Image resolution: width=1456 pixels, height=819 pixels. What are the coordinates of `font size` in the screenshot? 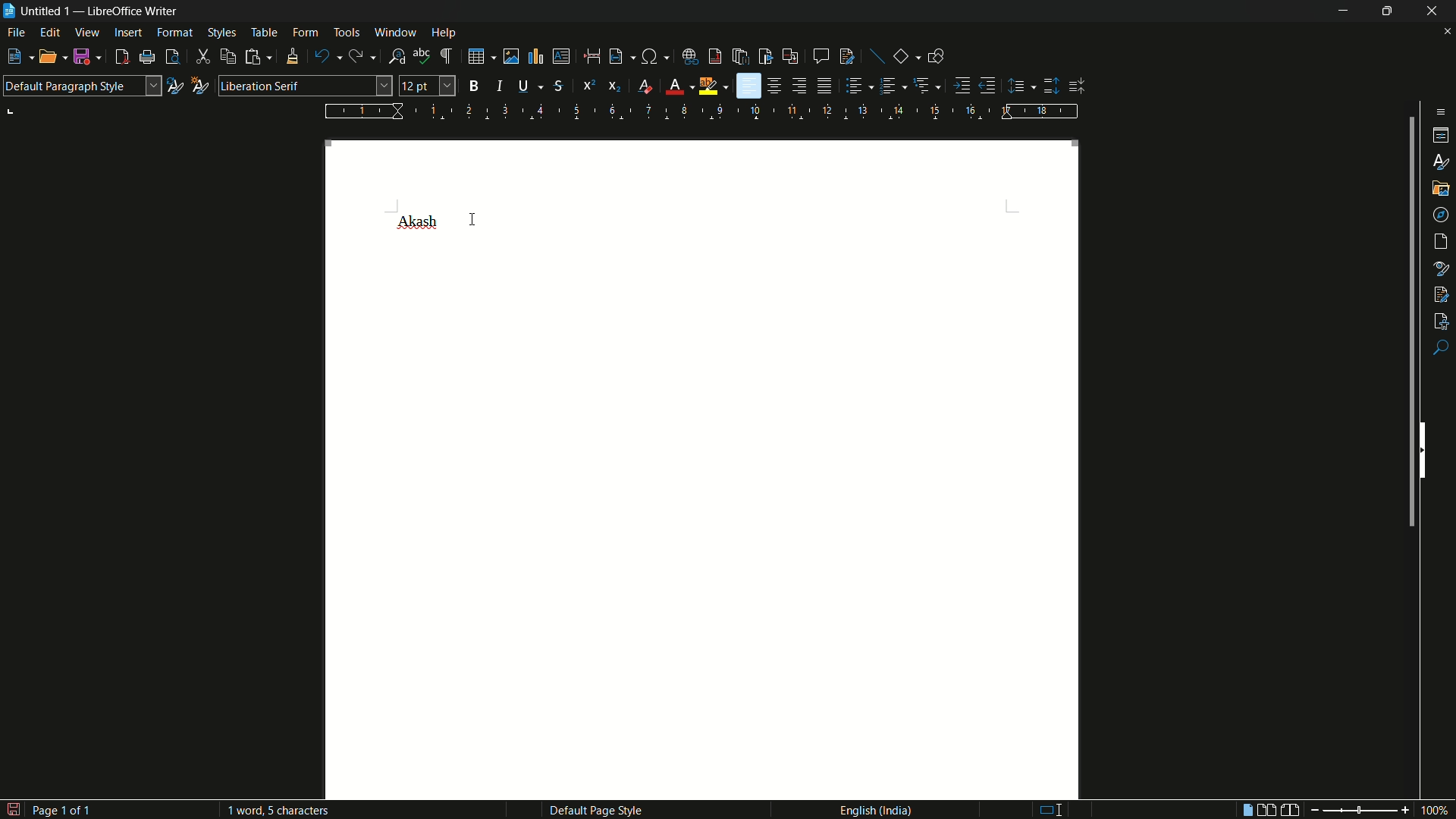 It's located at (428, 86).